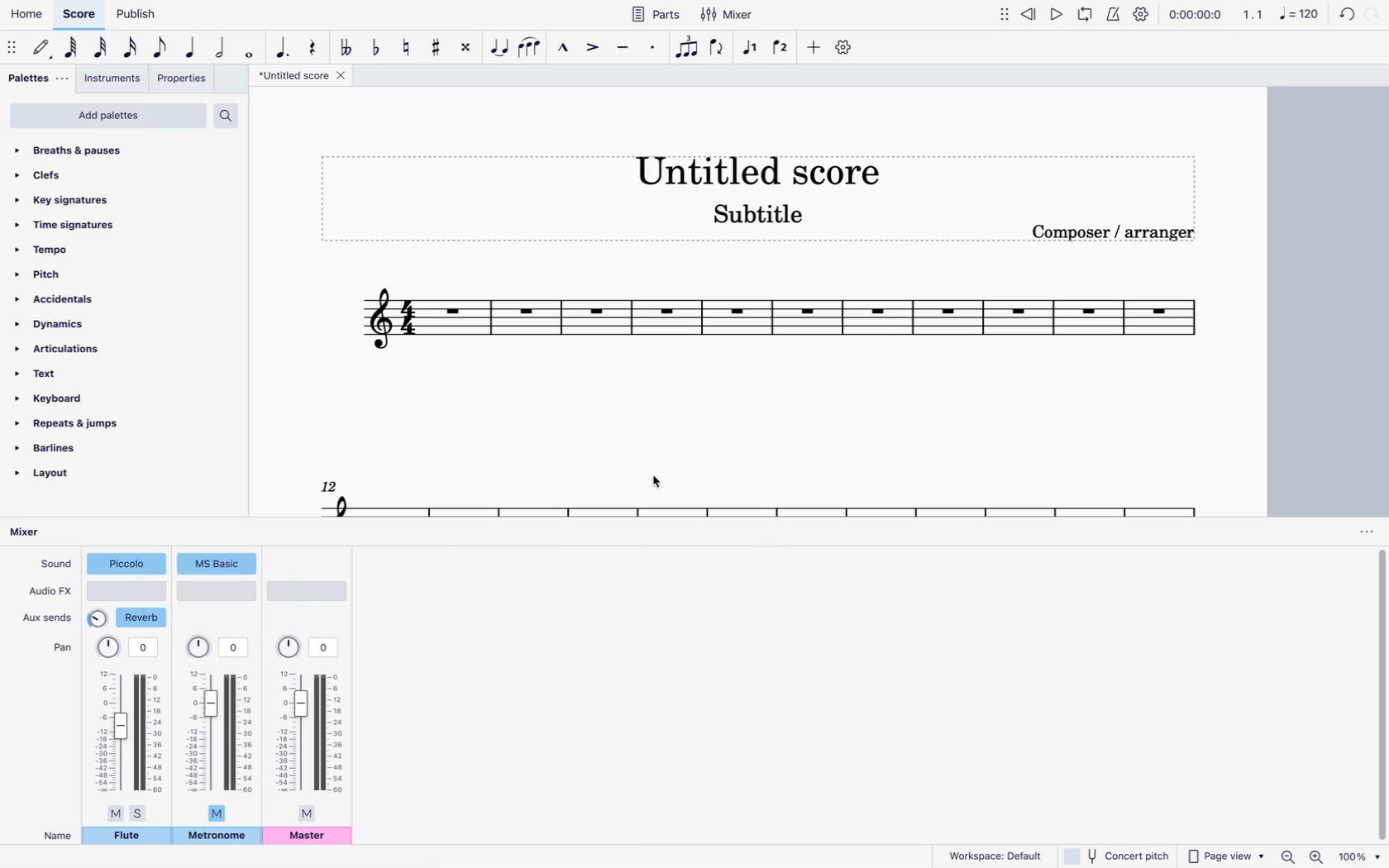 This screenshot has height=868, width=1389. Describe the element at coordinates (688, 51) in the screenshot. I see `tuplet` at that location.